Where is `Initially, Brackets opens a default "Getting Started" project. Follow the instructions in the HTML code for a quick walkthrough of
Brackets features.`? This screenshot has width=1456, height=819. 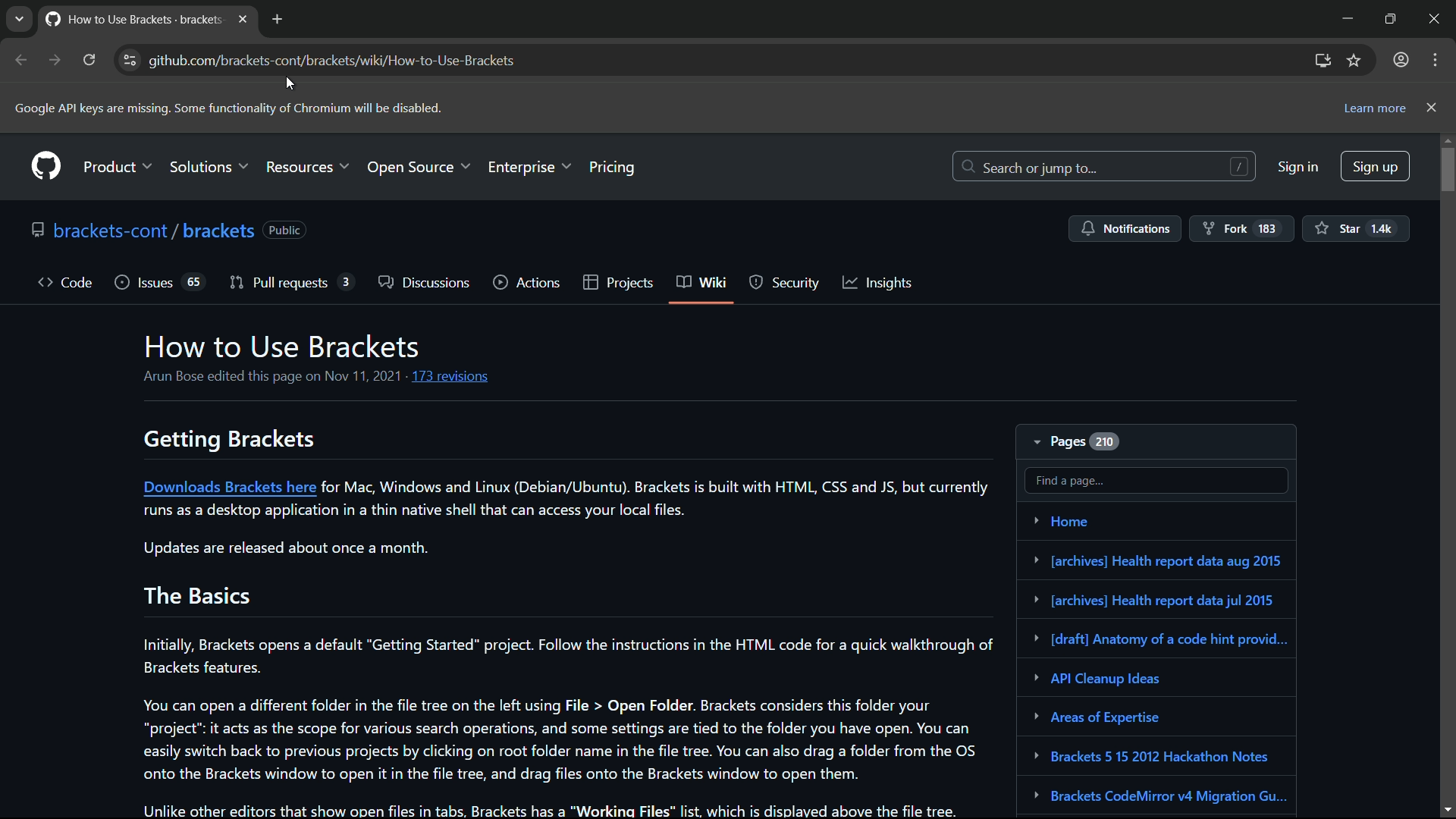 Initially, Brackets opens a default "Getting Started" project. Follow the instructions in the HTML code for a quick walkthrough of
Brackets features. is located at coordinates (559, 657).